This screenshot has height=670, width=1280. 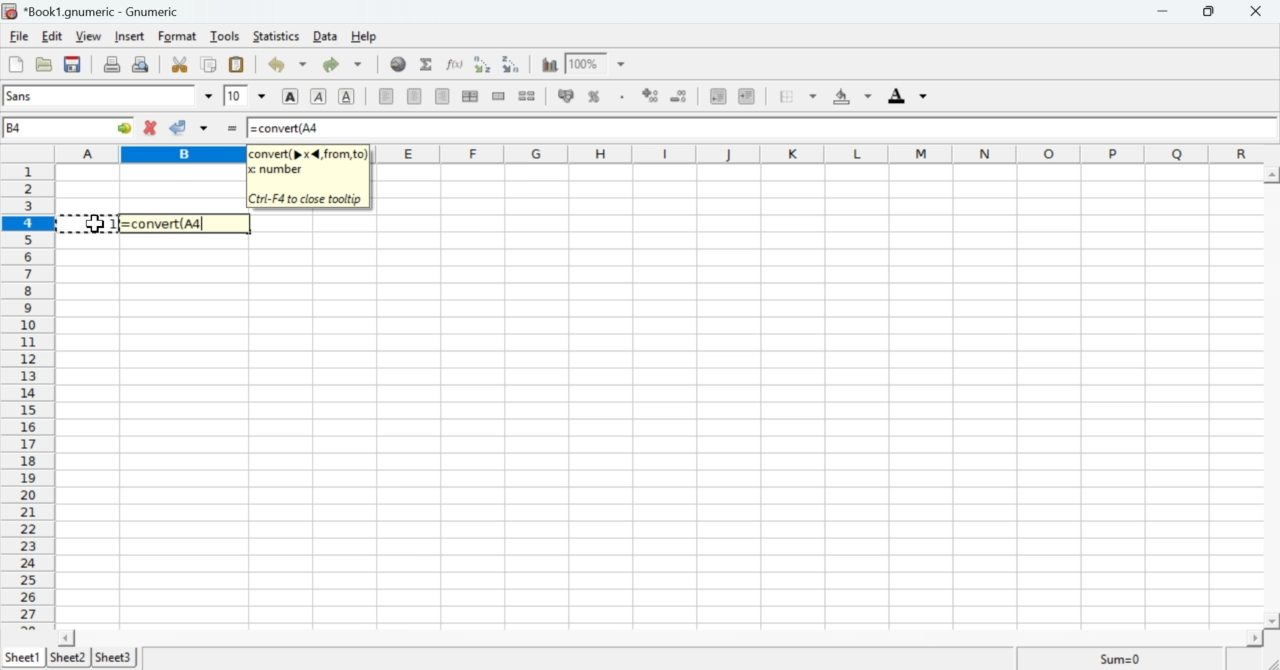 What do you see at coordinates (763, 127) in the screenshot?
I see `=convert(A4` at bounding box center [763, 127].